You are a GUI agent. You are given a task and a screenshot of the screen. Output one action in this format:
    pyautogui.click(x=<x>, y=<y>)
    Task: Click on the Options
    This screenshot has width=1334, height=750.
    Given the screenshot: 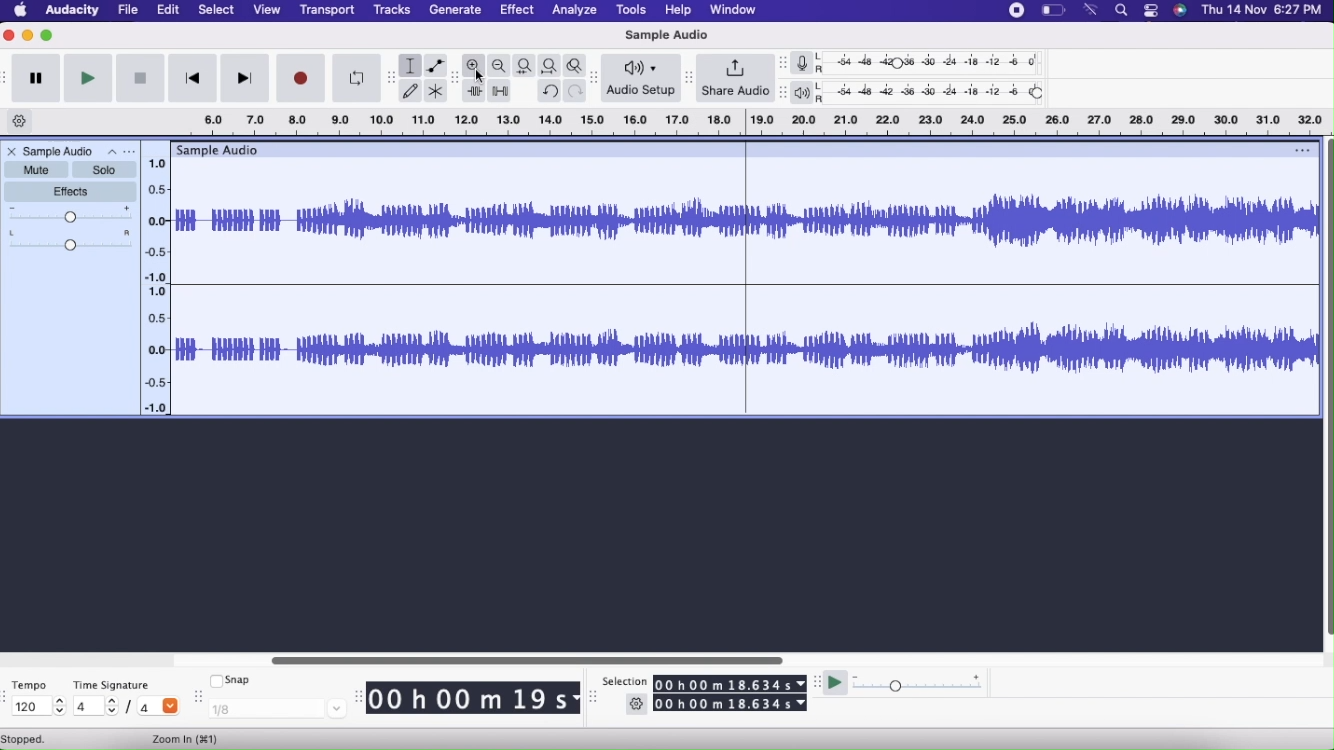 What is the action you would take?
    pyautogui.click(x=120, y=151)
    